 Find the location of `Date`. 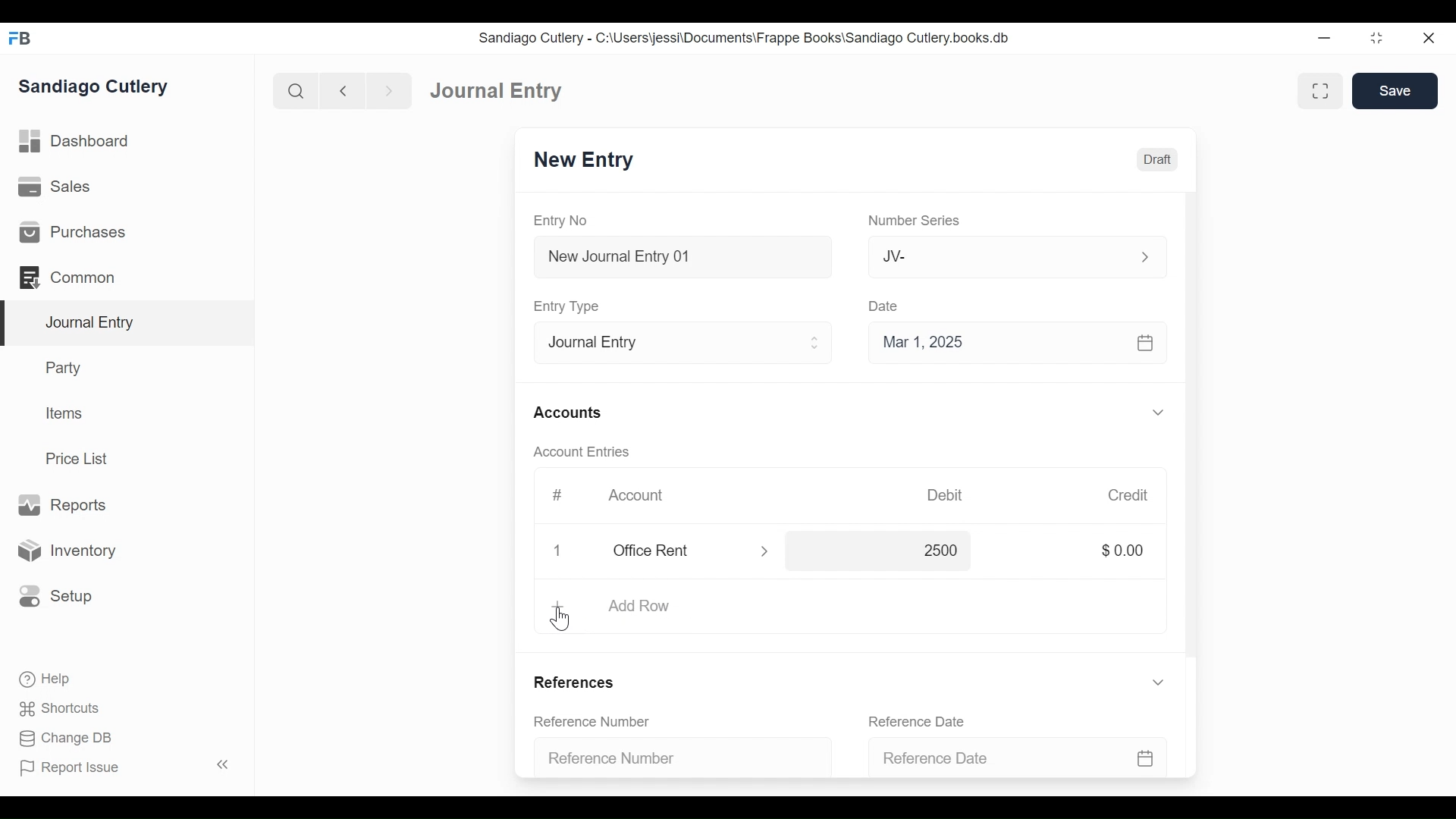

Date is located at coordinates (884, 306).